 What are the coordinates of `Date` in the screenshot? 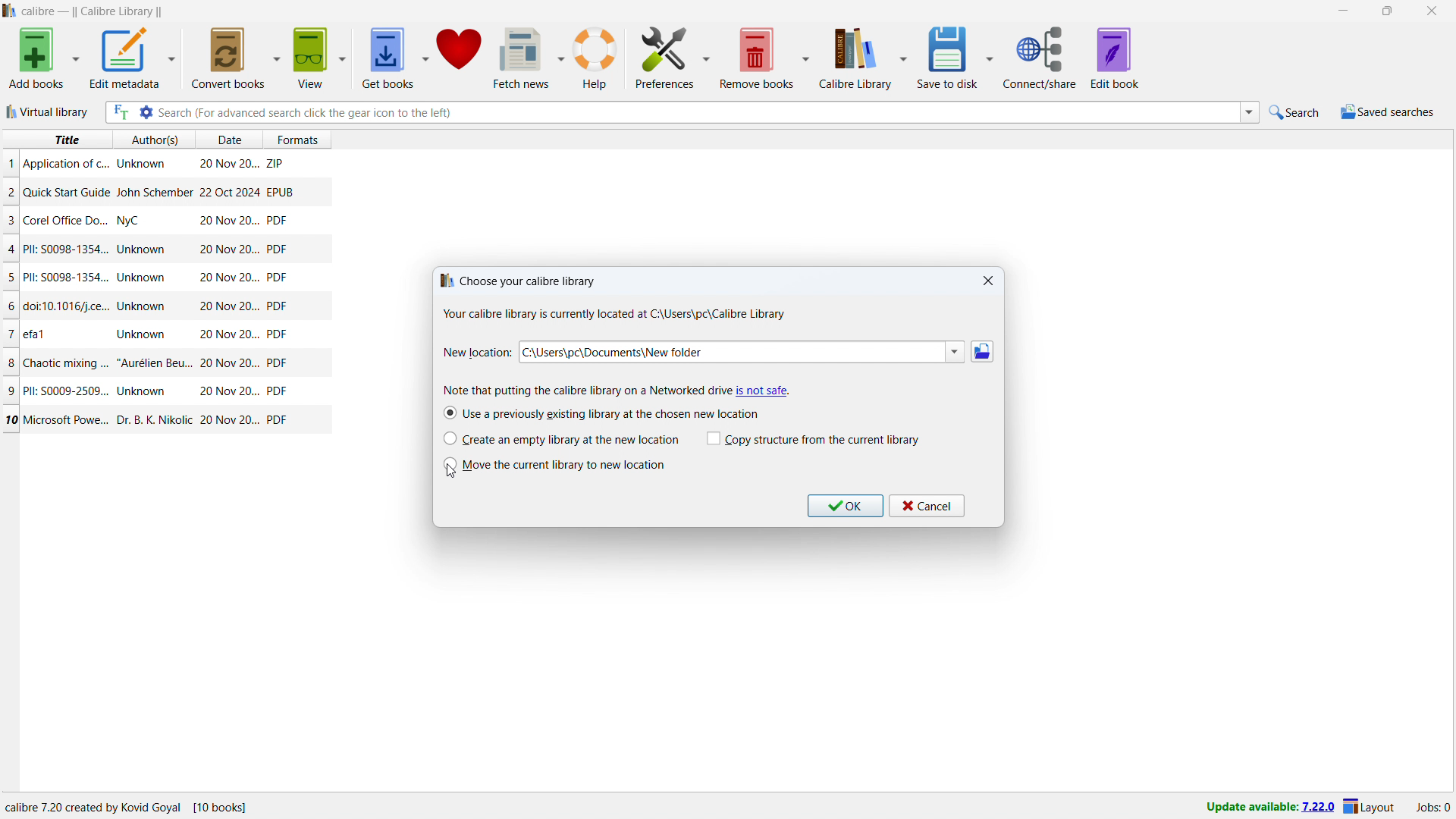 It's located at (227, 221).